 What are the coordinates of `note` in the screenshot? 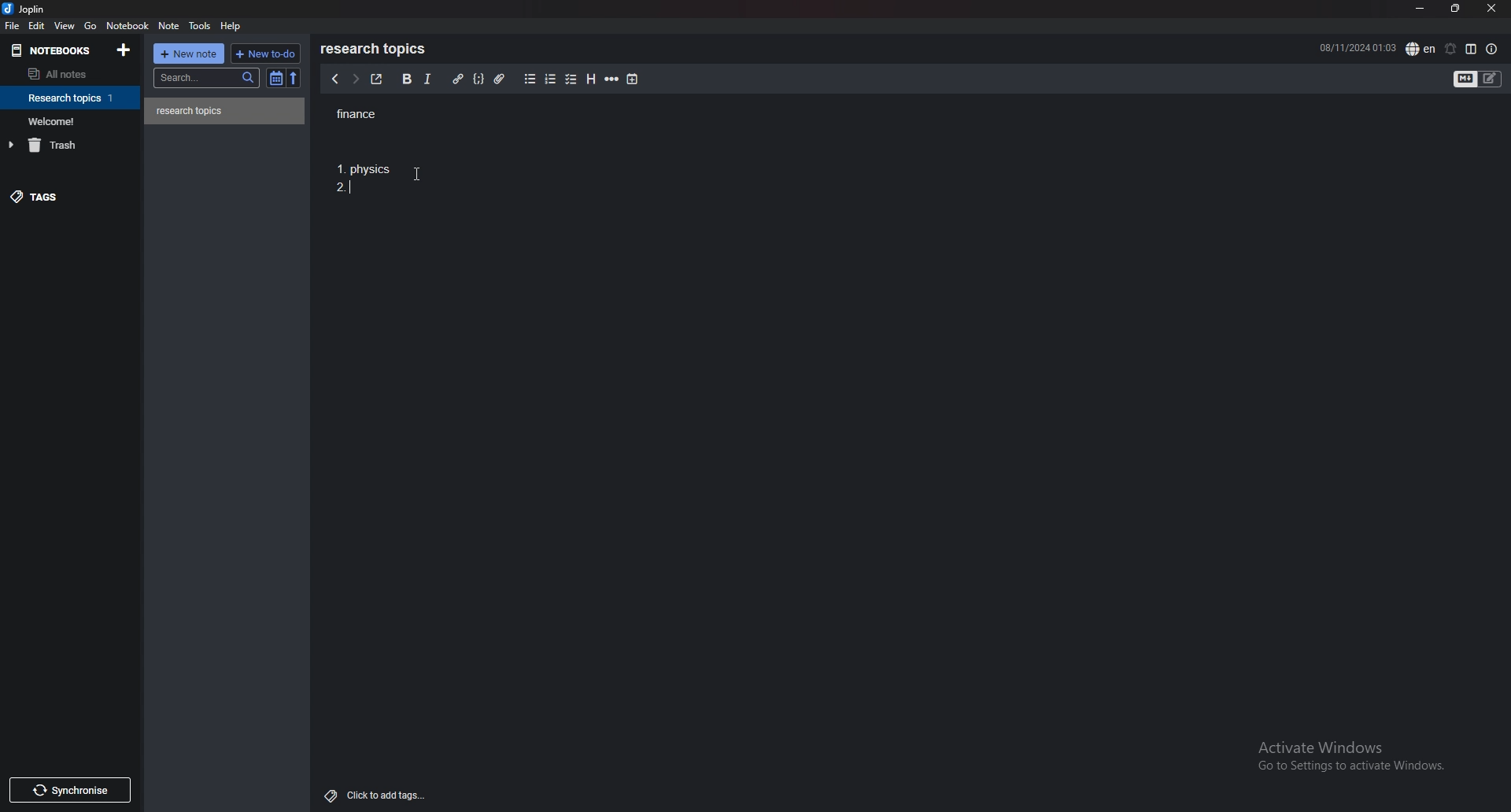 It's located at (168, 26).